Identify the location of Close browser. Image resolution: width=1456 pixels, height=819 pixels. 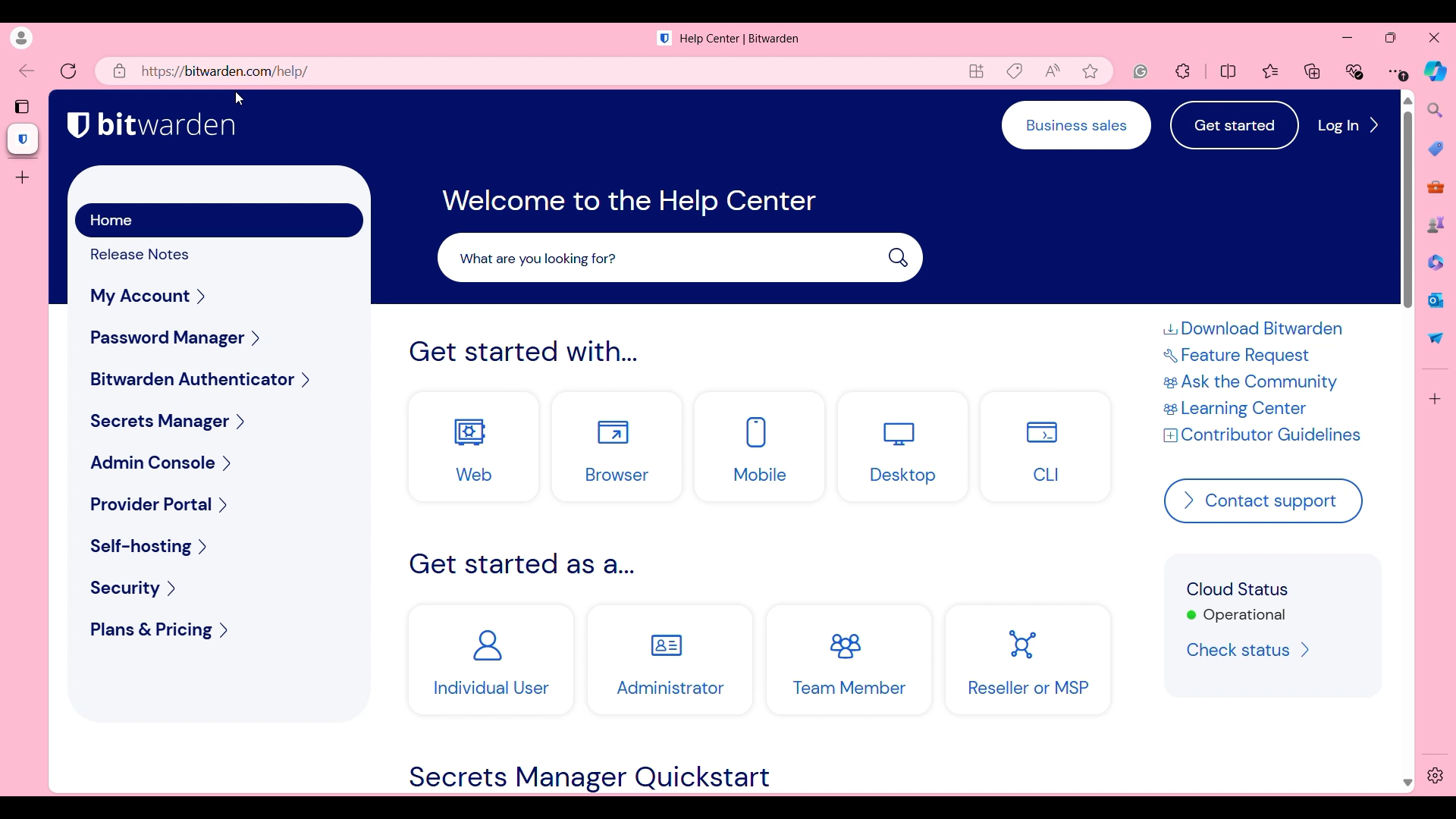
(1435, 38).